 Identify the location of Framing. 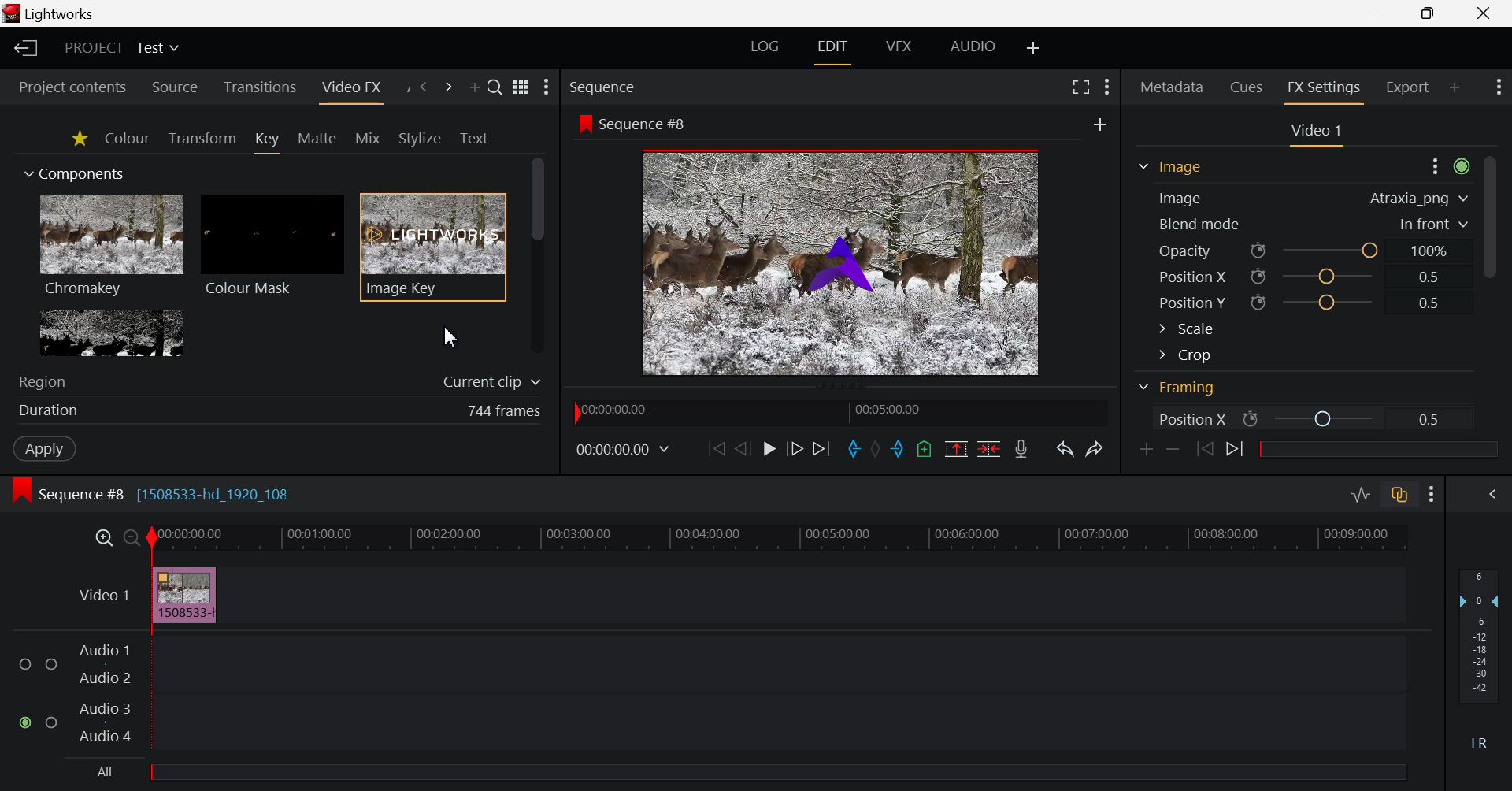
(1291, 387).